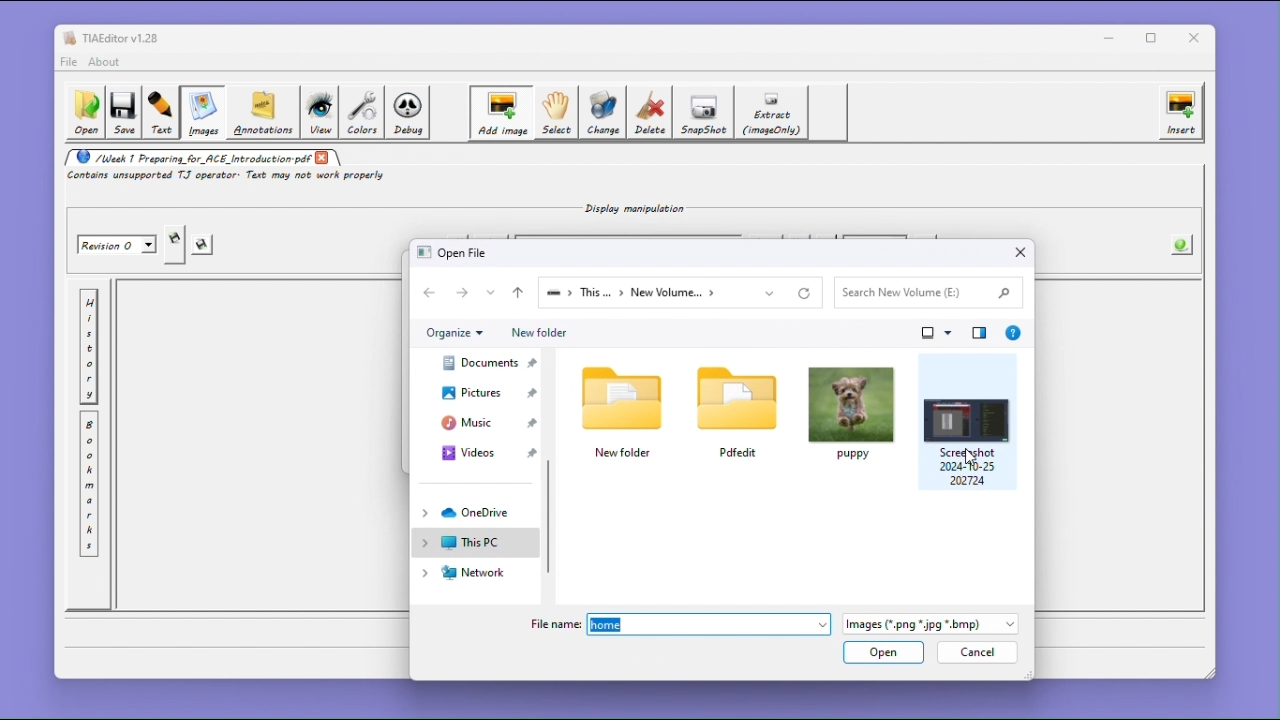 The height and width of the screenshot is (720, 1280). What do you see at coordinates (658, 293) in the screenshot?
I see `This... > New Volume... >` at bounding box center [658, 293].